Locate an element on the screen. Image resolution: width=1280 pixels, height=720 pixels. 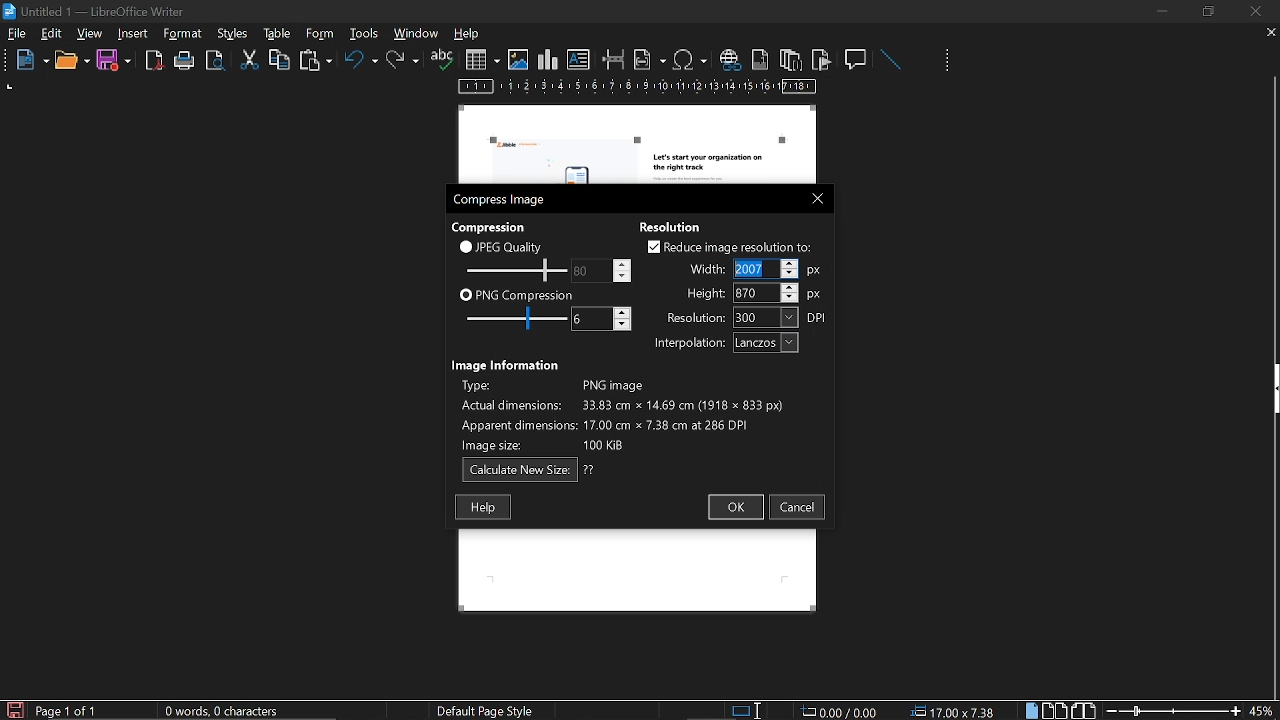
current zoom is located at coordinates (1263, 710).